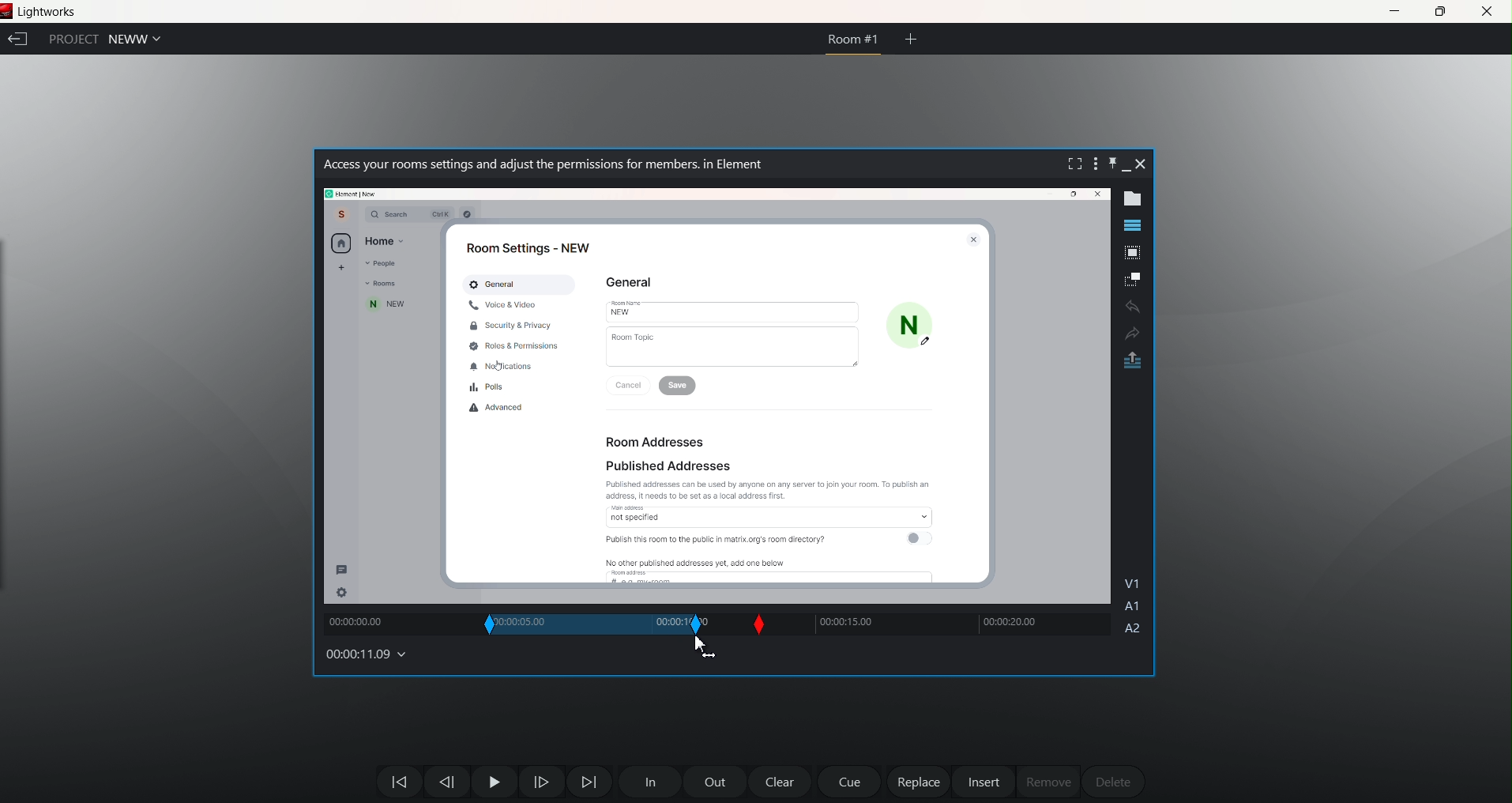  What do you see at coordinates (341, 215) in the screenshot?
I see `Account` at bounding box center [341, 215].